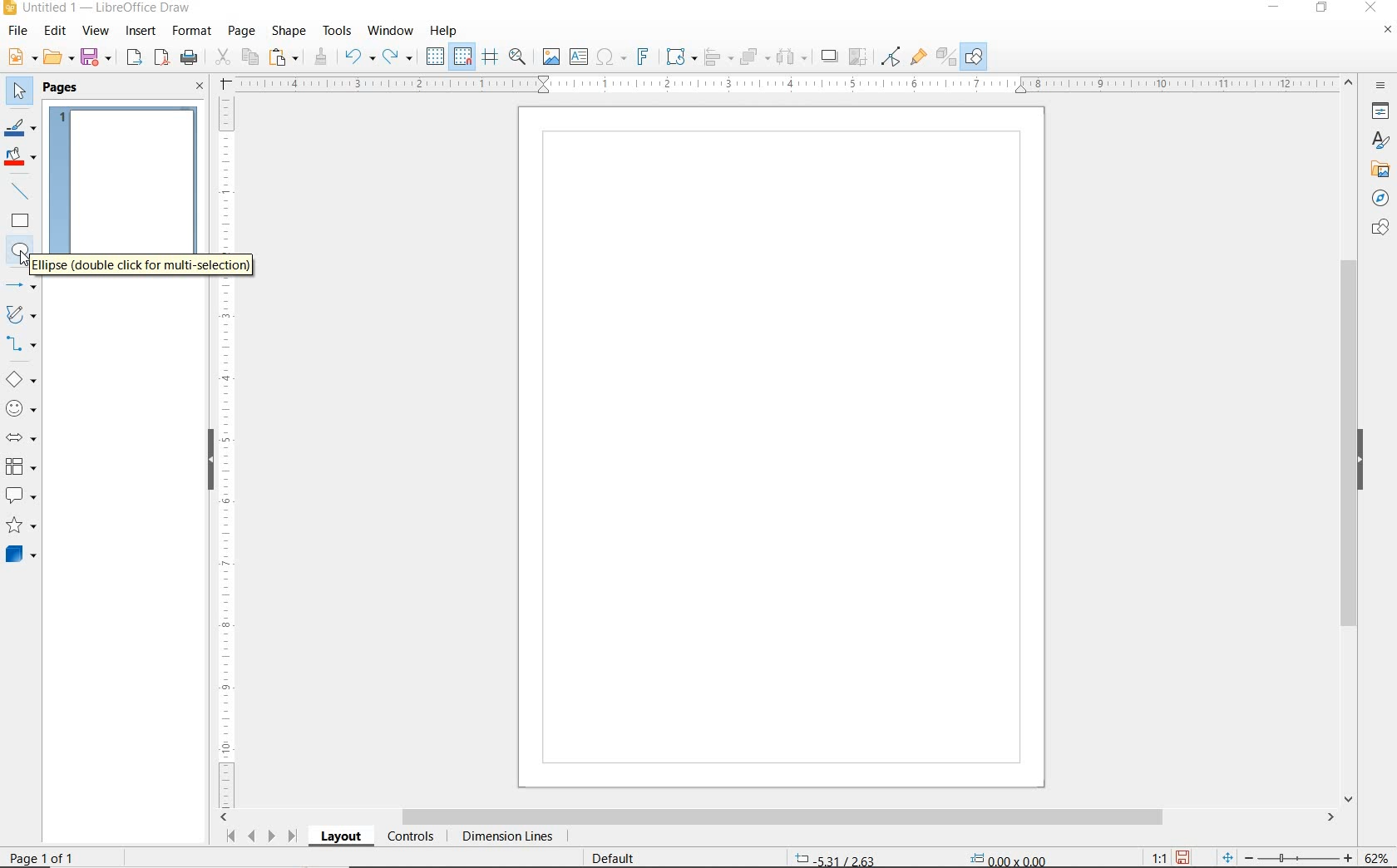  What do you see at coordinates (241, 31) in the screenshot?
I see `PAGE` at bounding box center [241, 31].